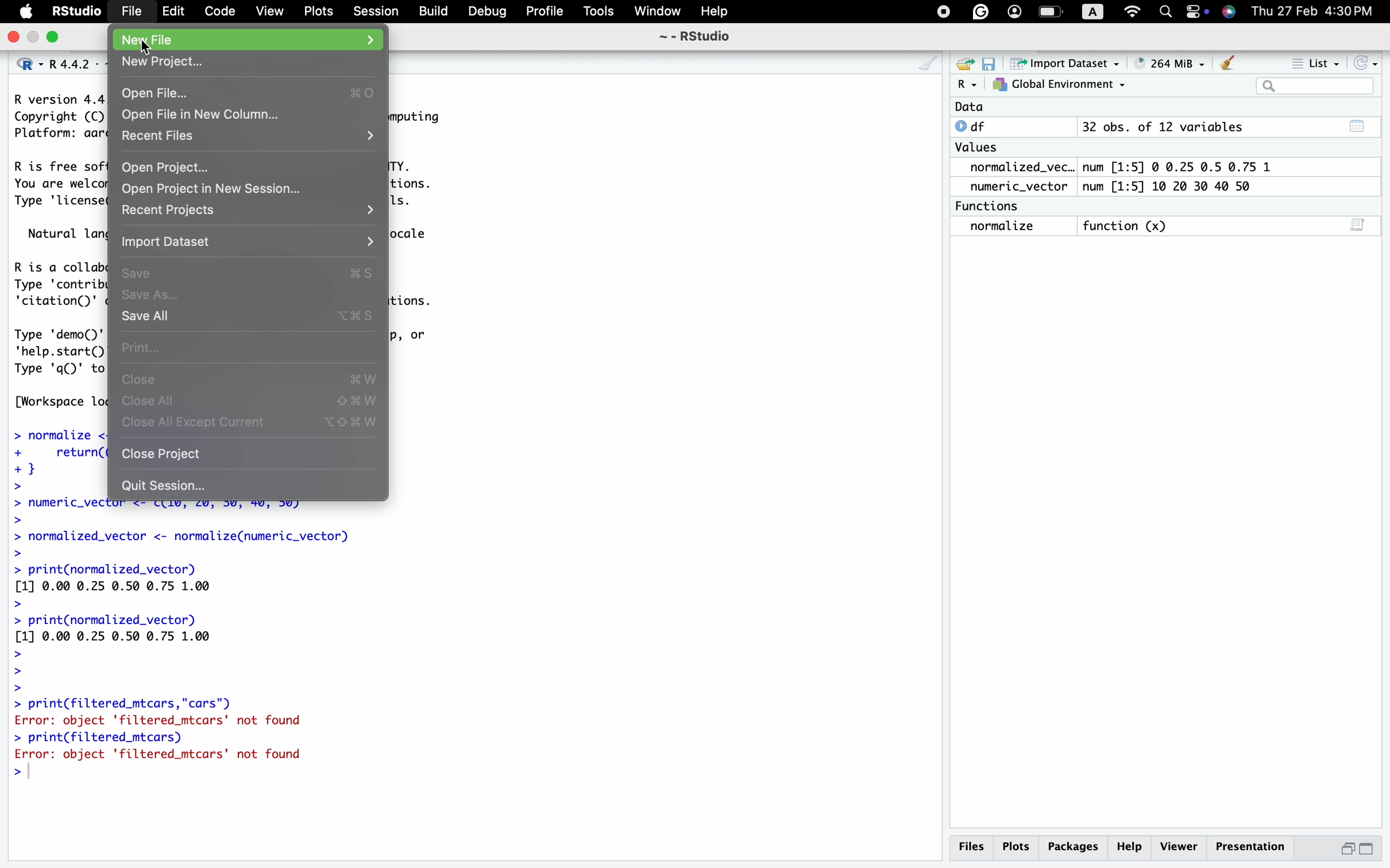  I want to click on save workspace as, so click(993, 64).